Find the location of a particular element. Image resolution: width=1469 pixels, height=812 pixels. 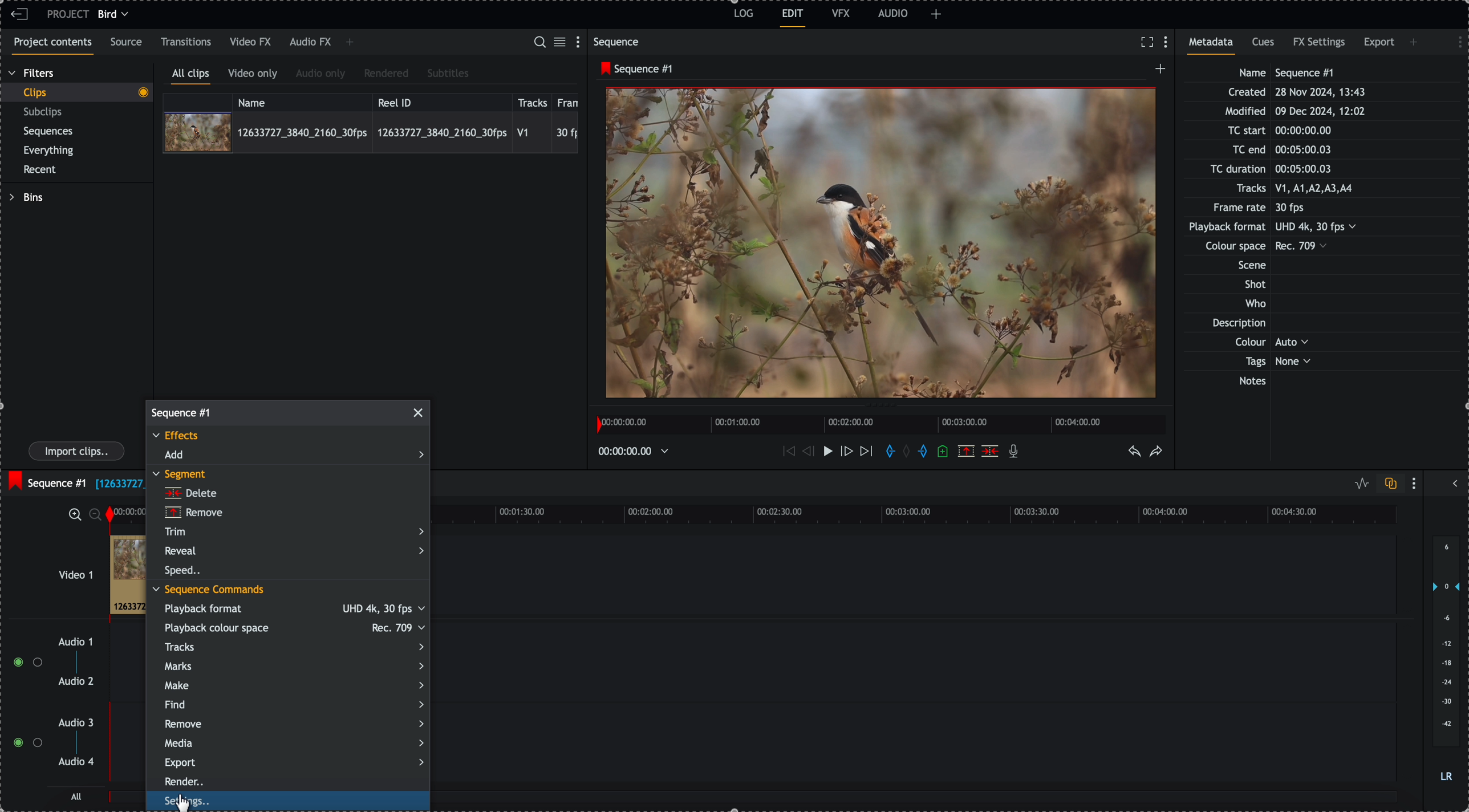

remove the marked section is located at coordinates (966, 450).